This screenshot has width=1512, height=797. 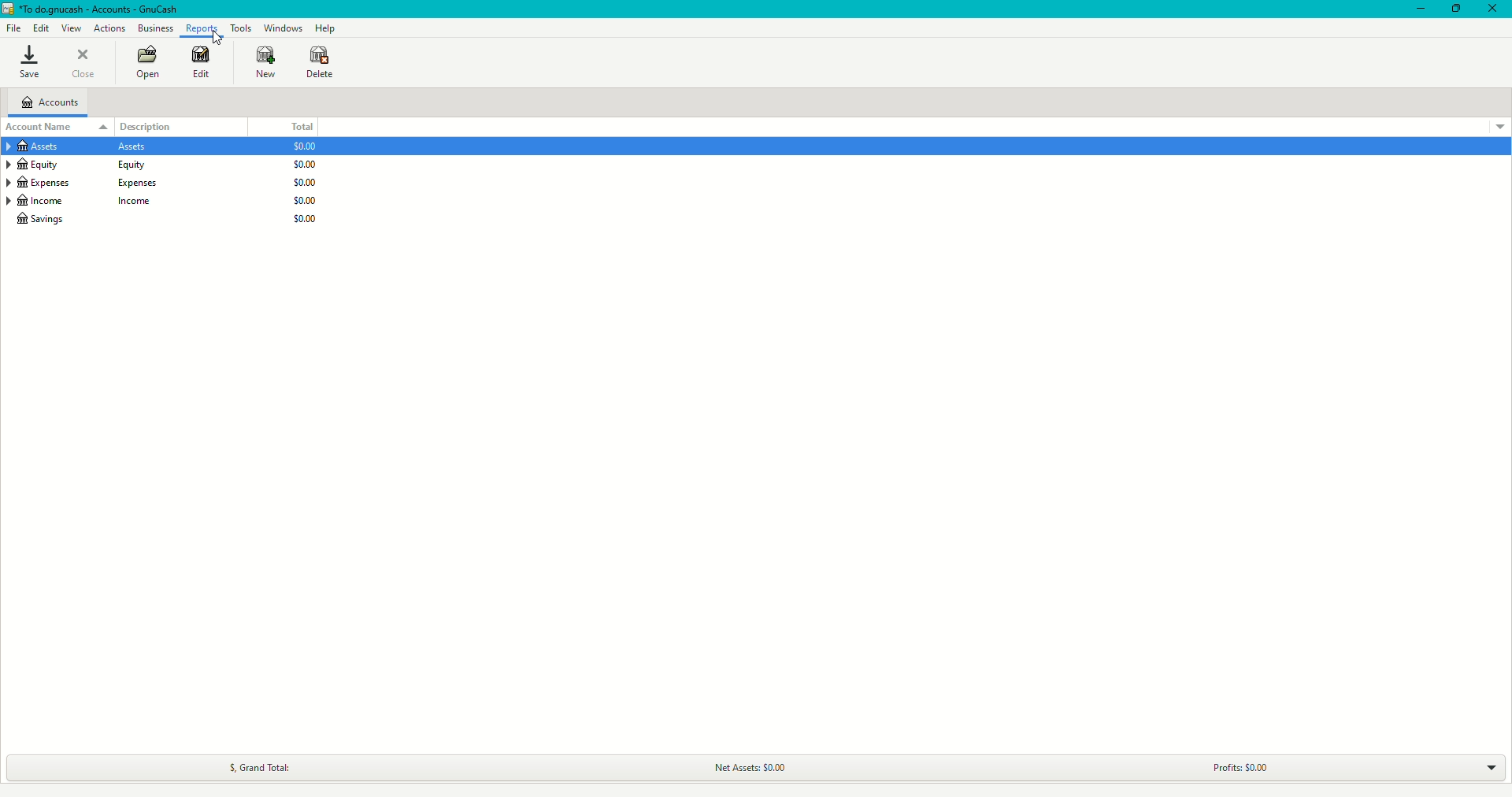 I want to click on Business, so click(x=156, y=28).